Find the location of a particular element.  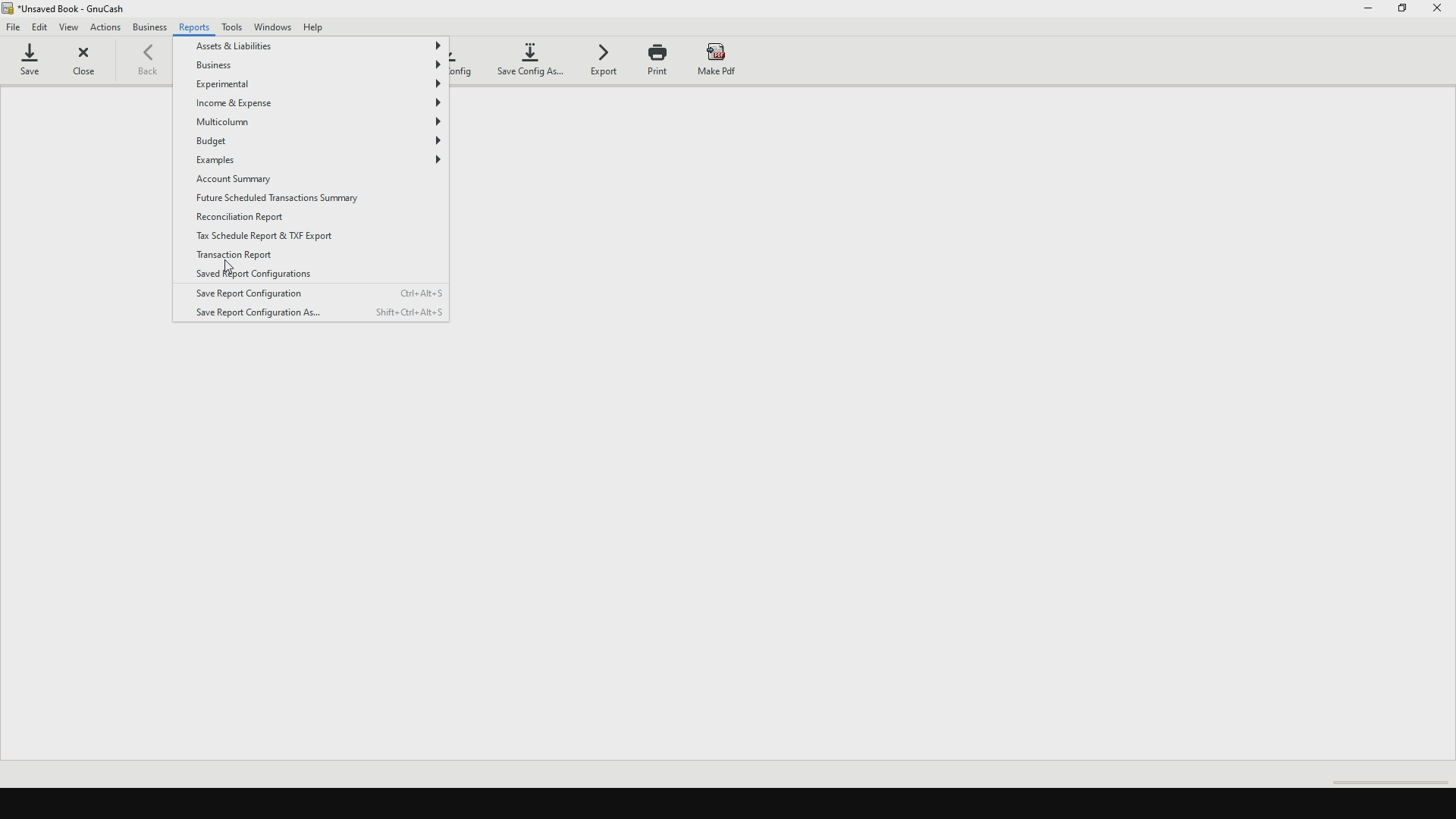

actions is located at coordinates (106, 28).